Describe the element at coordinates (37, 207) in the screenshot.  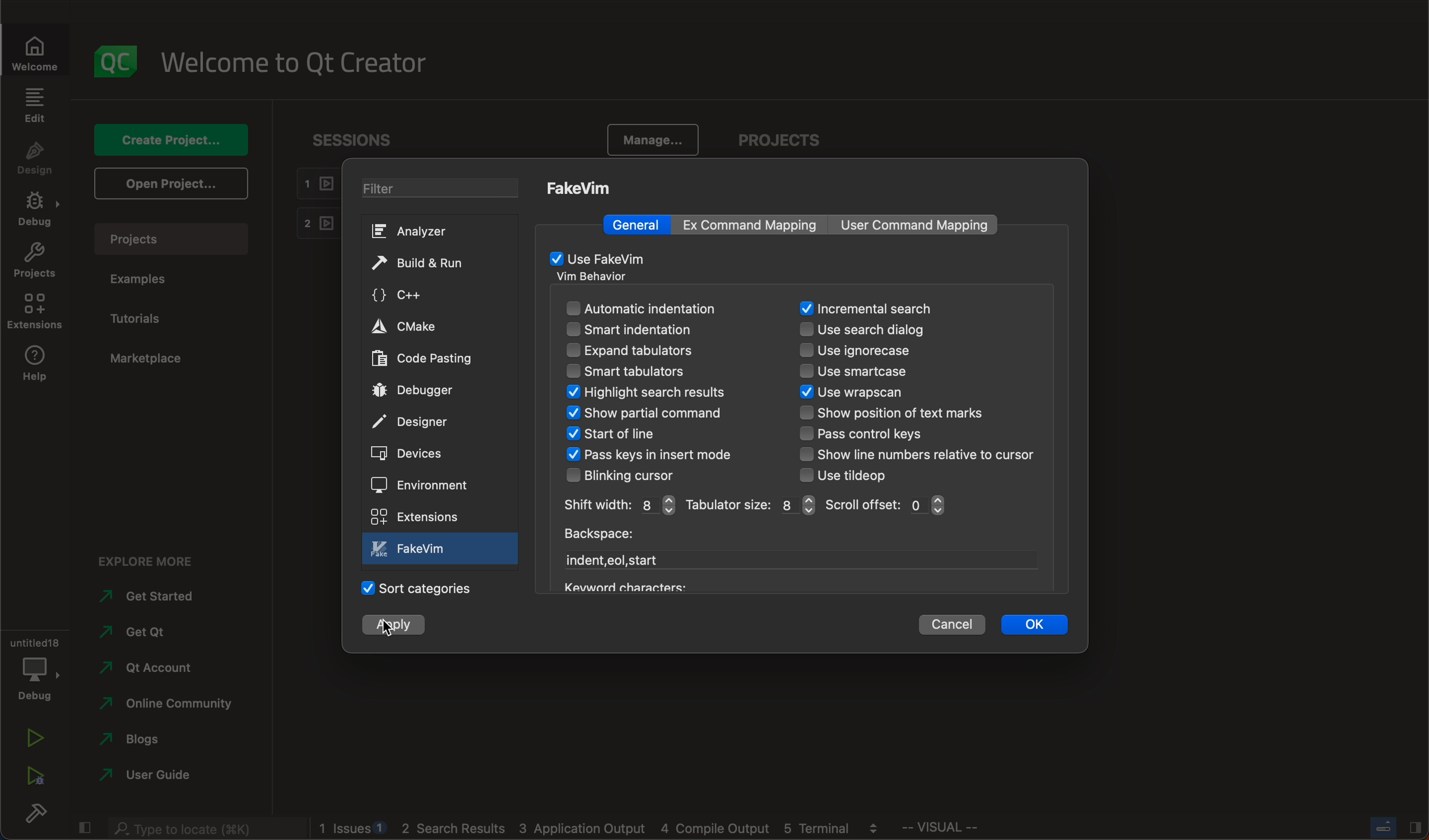
I see `debug` at that location.